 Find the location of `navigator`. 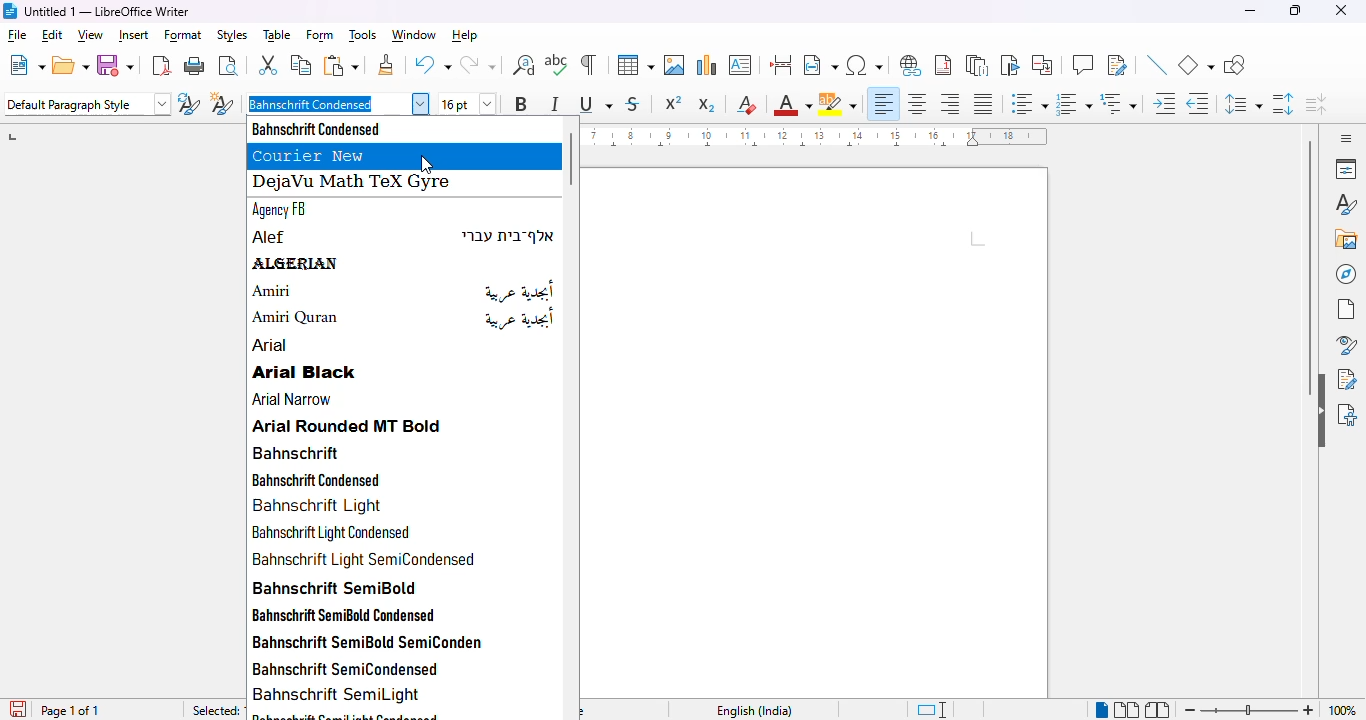

navigator is located at coordinates (1347, 274).